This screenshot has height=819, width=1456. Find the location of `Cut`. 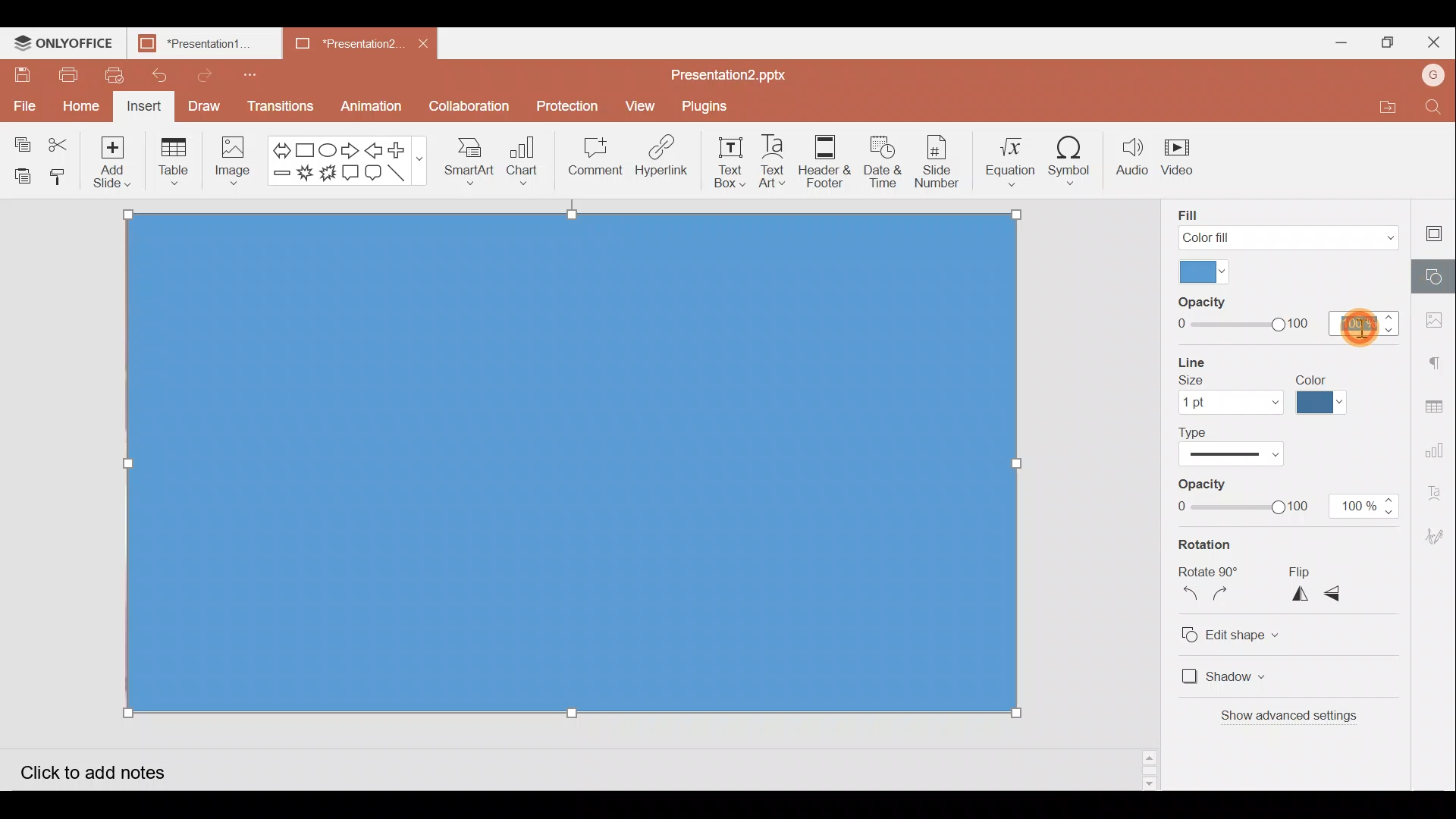

Cut is located at coordinates (61, 140).